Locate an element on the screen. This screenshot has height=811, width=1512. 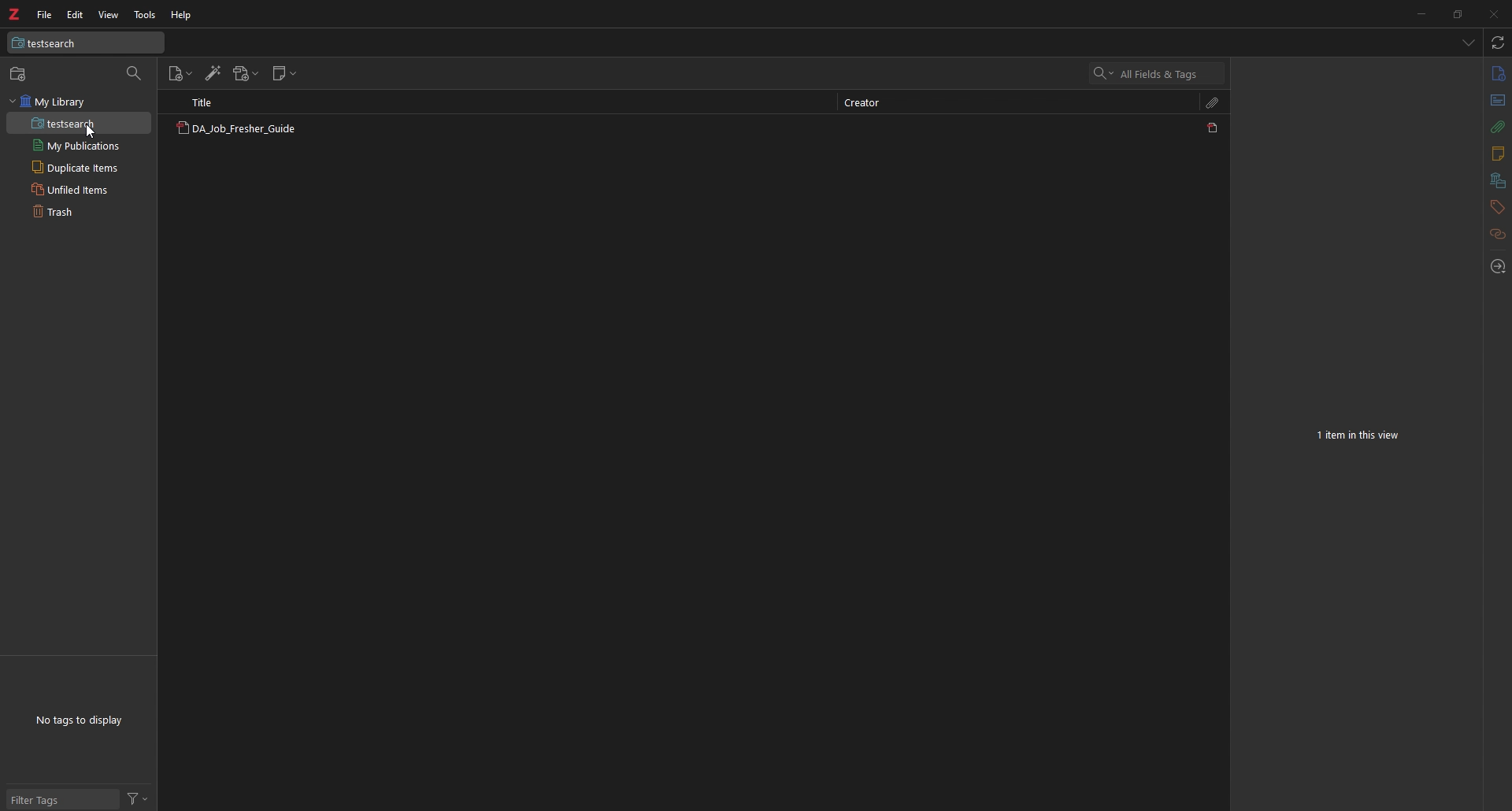
locate is located at coordinates (1496, 268).